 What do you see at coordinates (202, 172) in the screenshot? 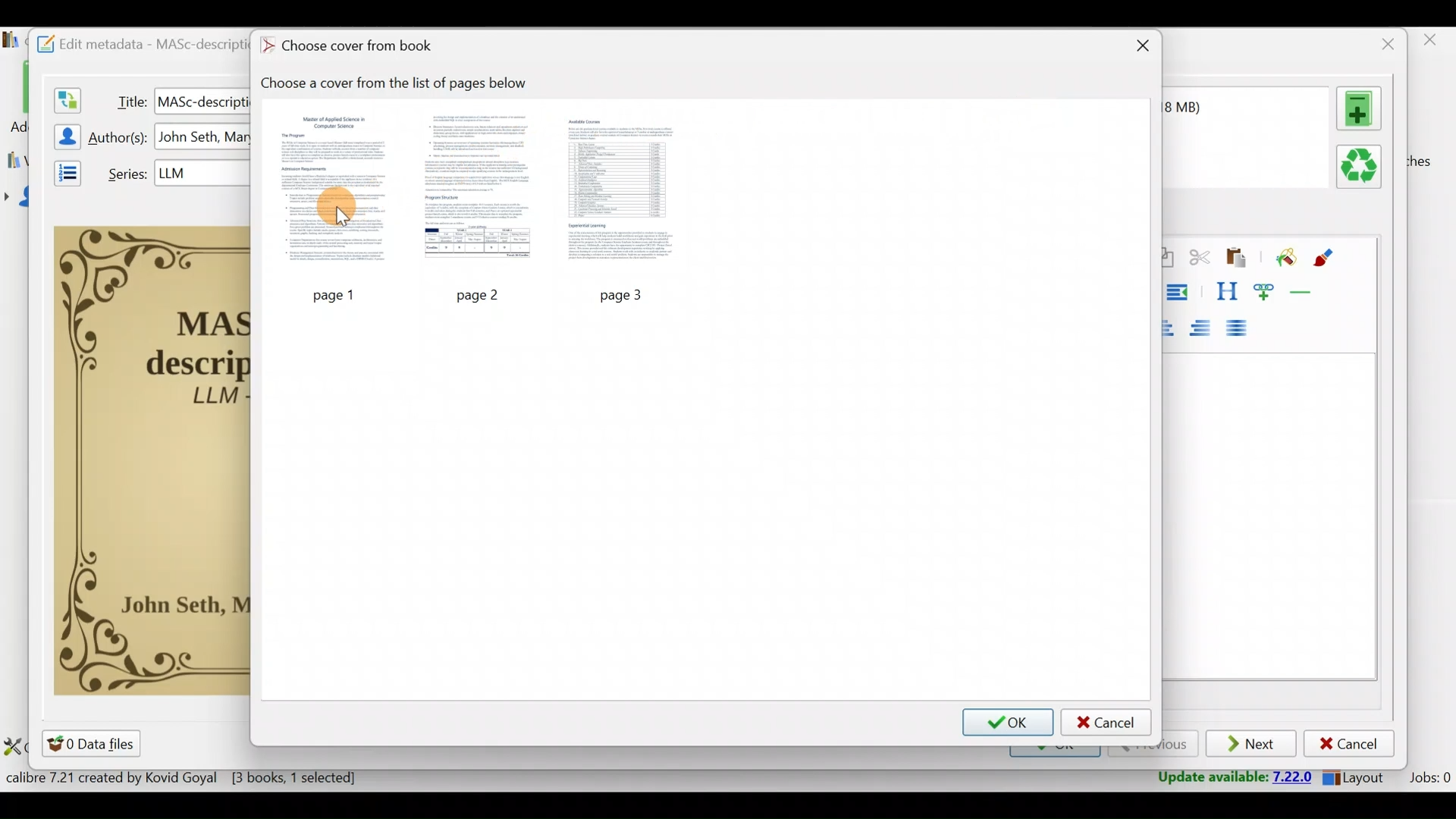
I see `` at bounding box center [202, 172].